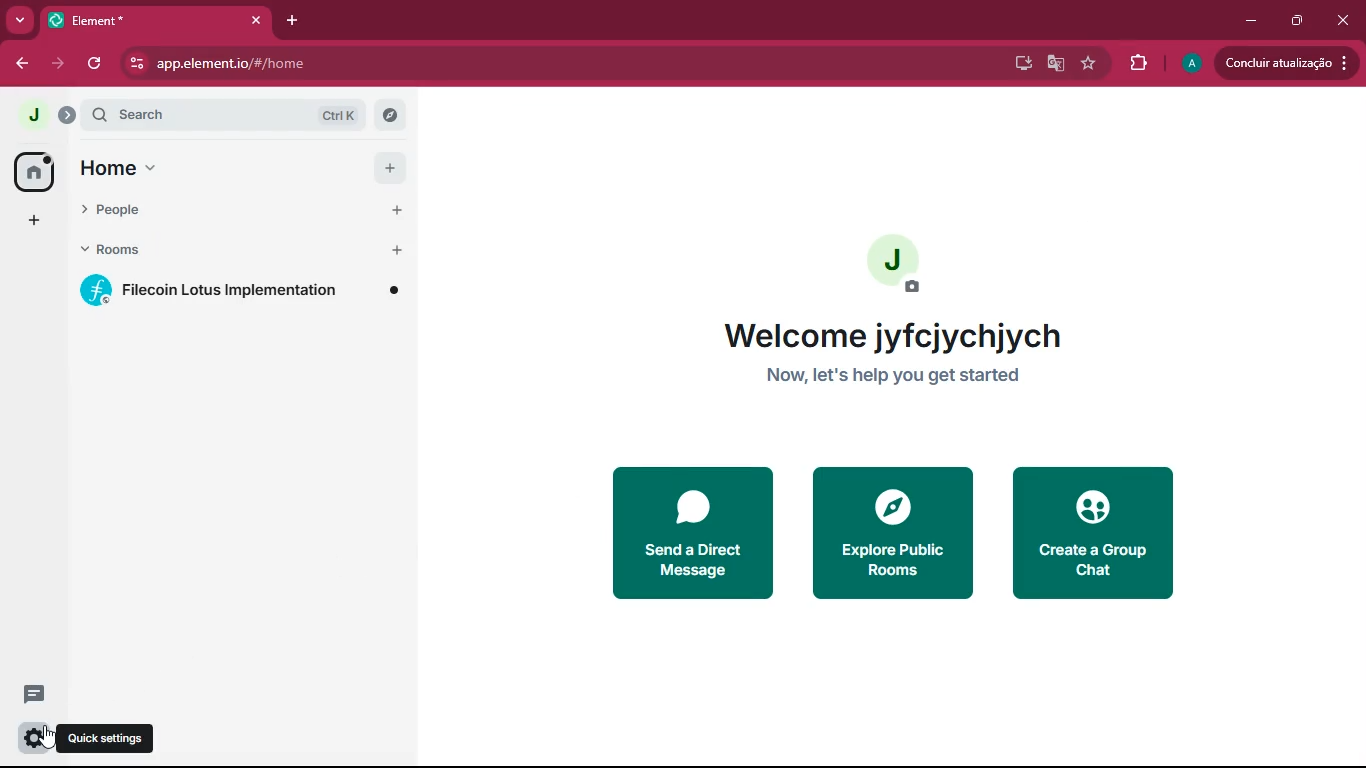 The height and width of the screenshot is (768, 1366). I want to click on profile picture , so click(896, 268).